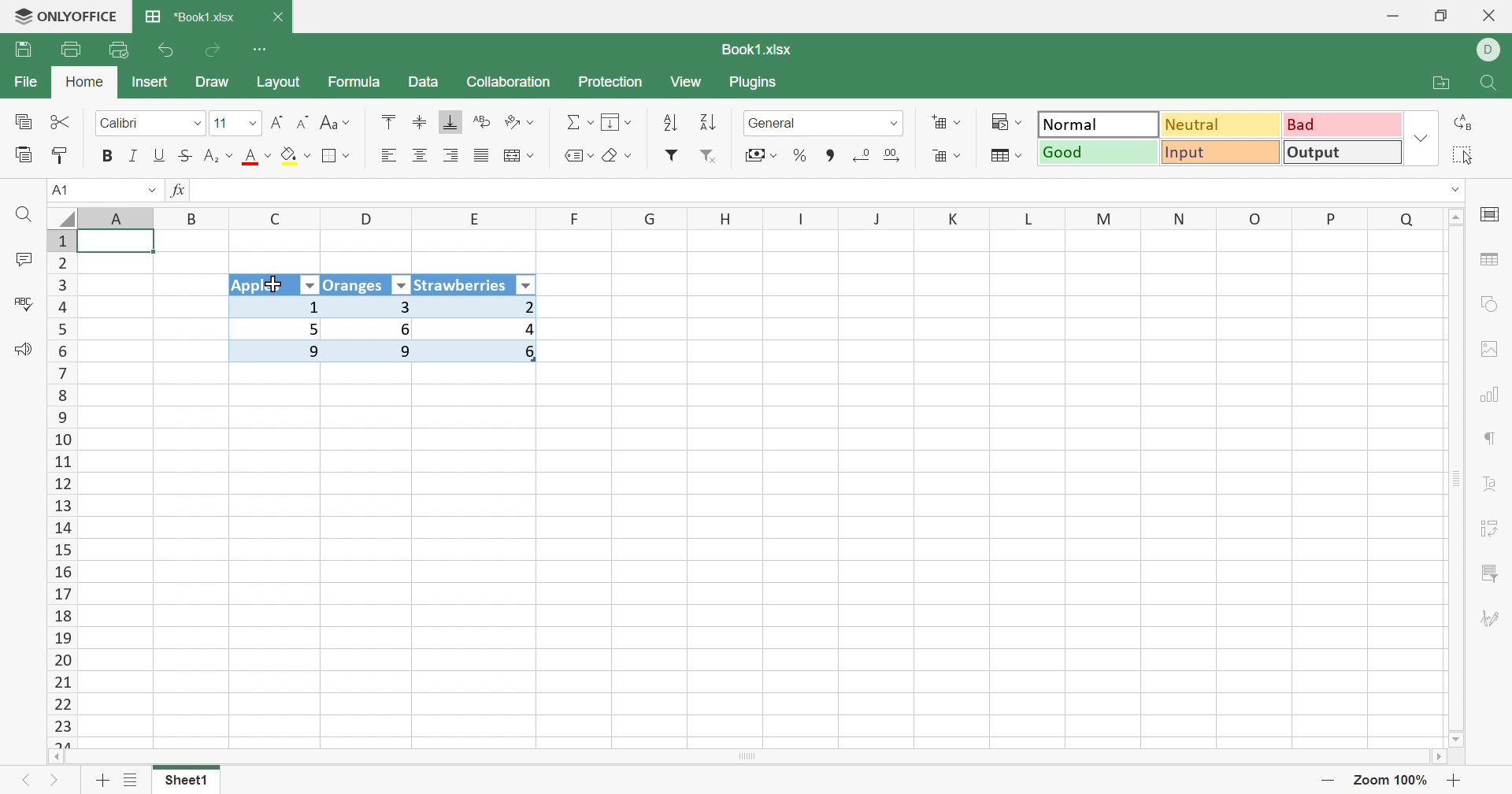 Image resolution: width=1512 pixels, height=794 pixels. I want to click on Fill, so click(618, 123).